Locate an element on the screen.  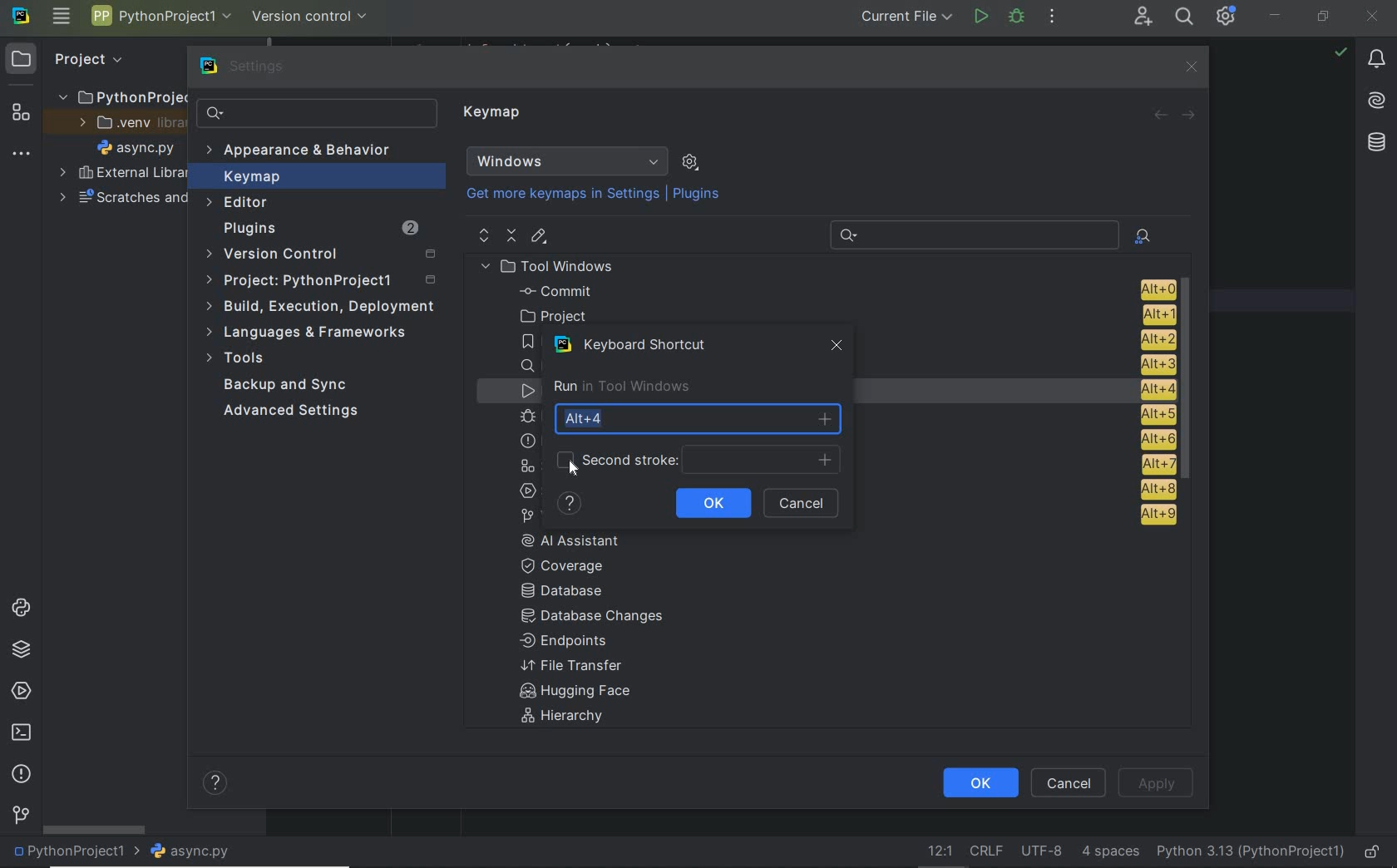
collapse all is located at coordinates (511, 236).